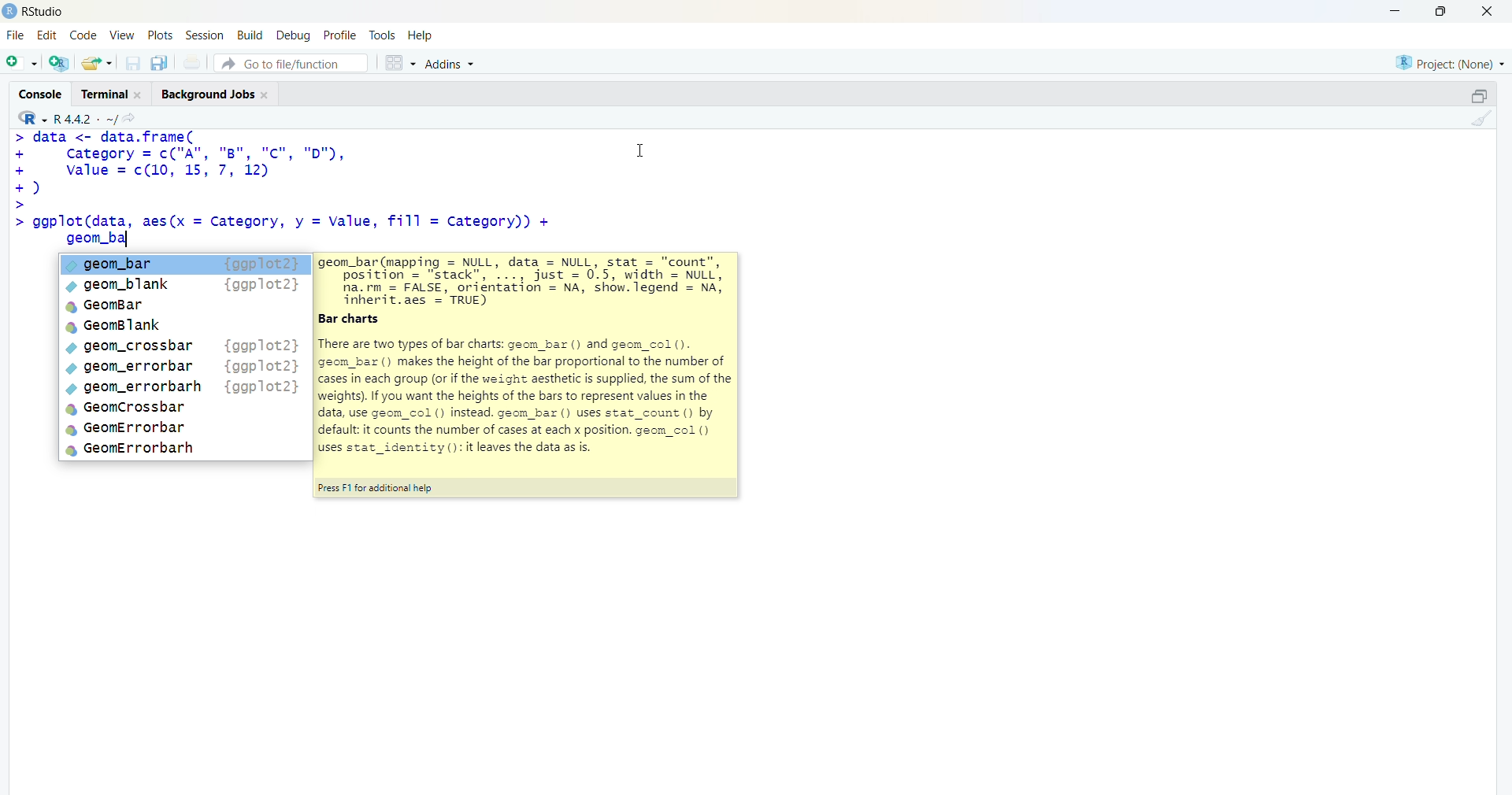 The image size is (1512, 795). What do you see at coordinates (183, 359) in the screenshot?
I see `suggested - CALEIC LIP¢ geom_blanka GeomBar GeomBlank¢ geom_crossbar¢ geom_errorbar¢ geom_errorbarh® GeomCrossbara GeomErrorbara GeomErrorbarh` at bounding box center [183, 359].